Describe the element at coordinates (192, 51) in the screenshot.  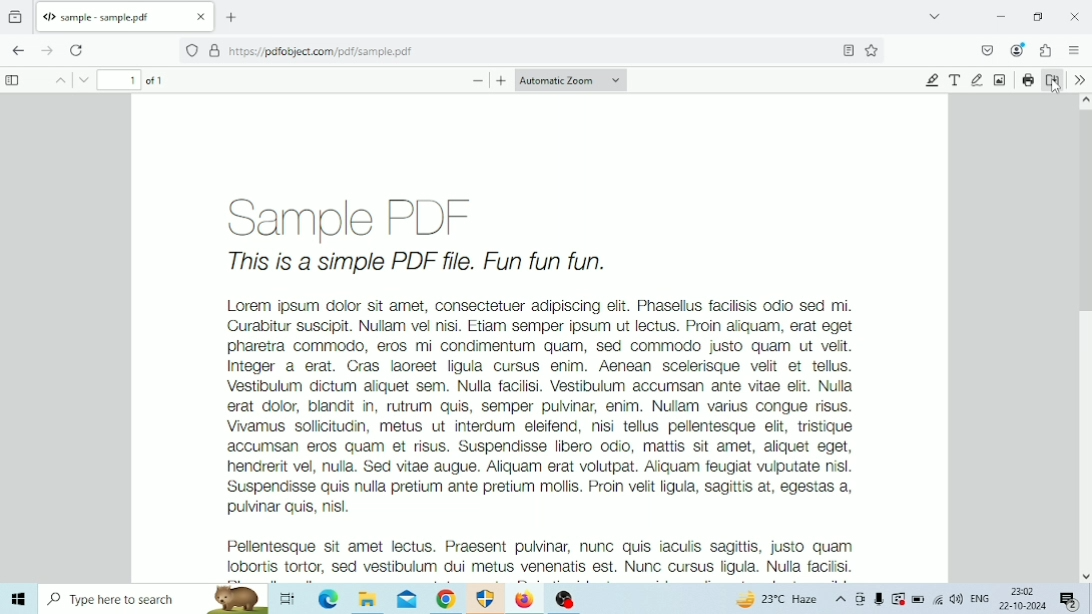
I see `No trackers known to Firefox were detected on this page` at that location.